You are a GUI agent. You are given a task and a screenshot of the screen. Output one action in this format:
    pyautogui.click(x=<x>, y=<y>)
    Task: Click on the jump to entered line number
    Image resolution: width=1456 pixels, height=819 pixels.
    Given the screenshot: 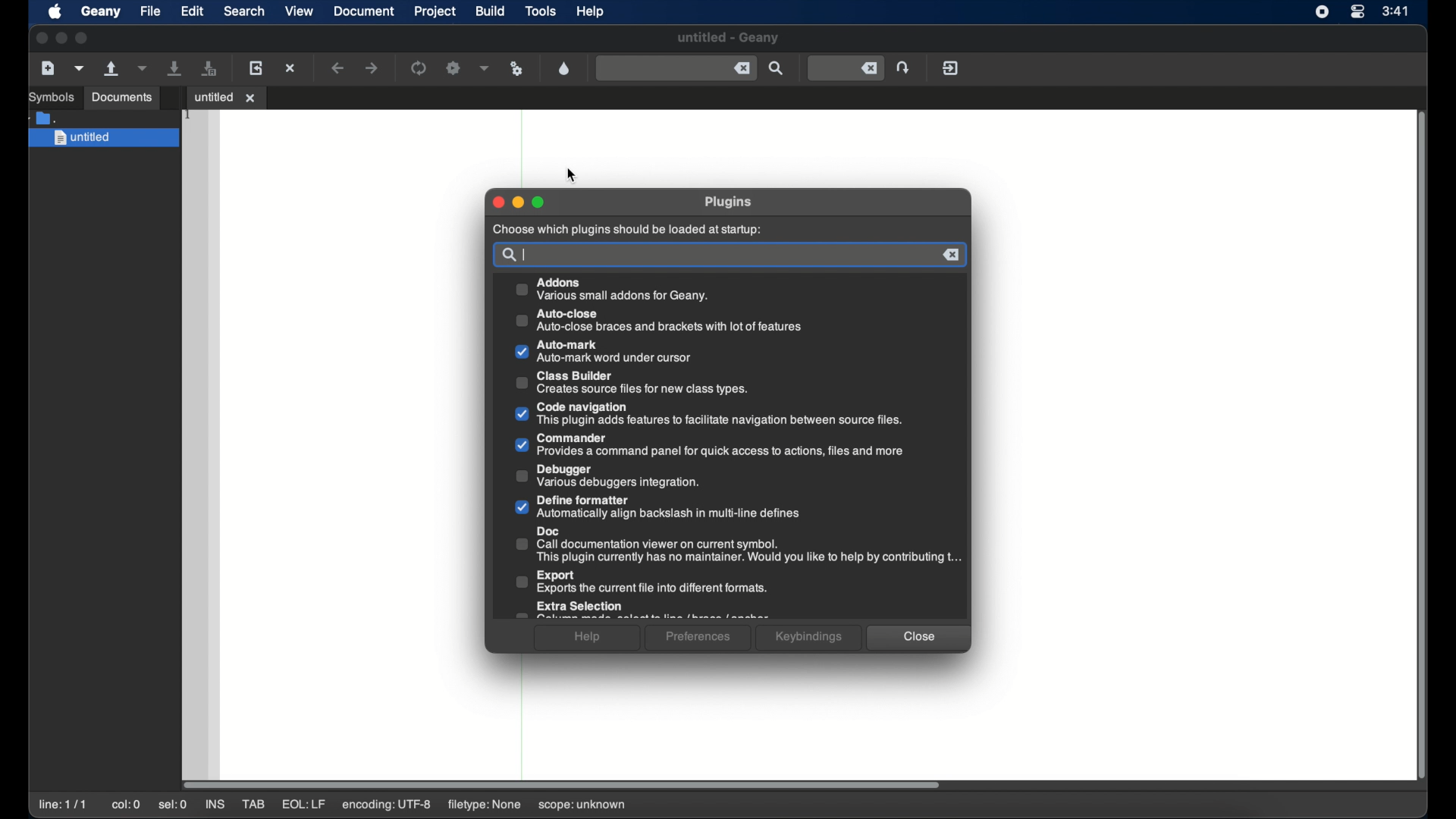 What is the action you would take?
    pyautogui.click(x=846, y=69)
    